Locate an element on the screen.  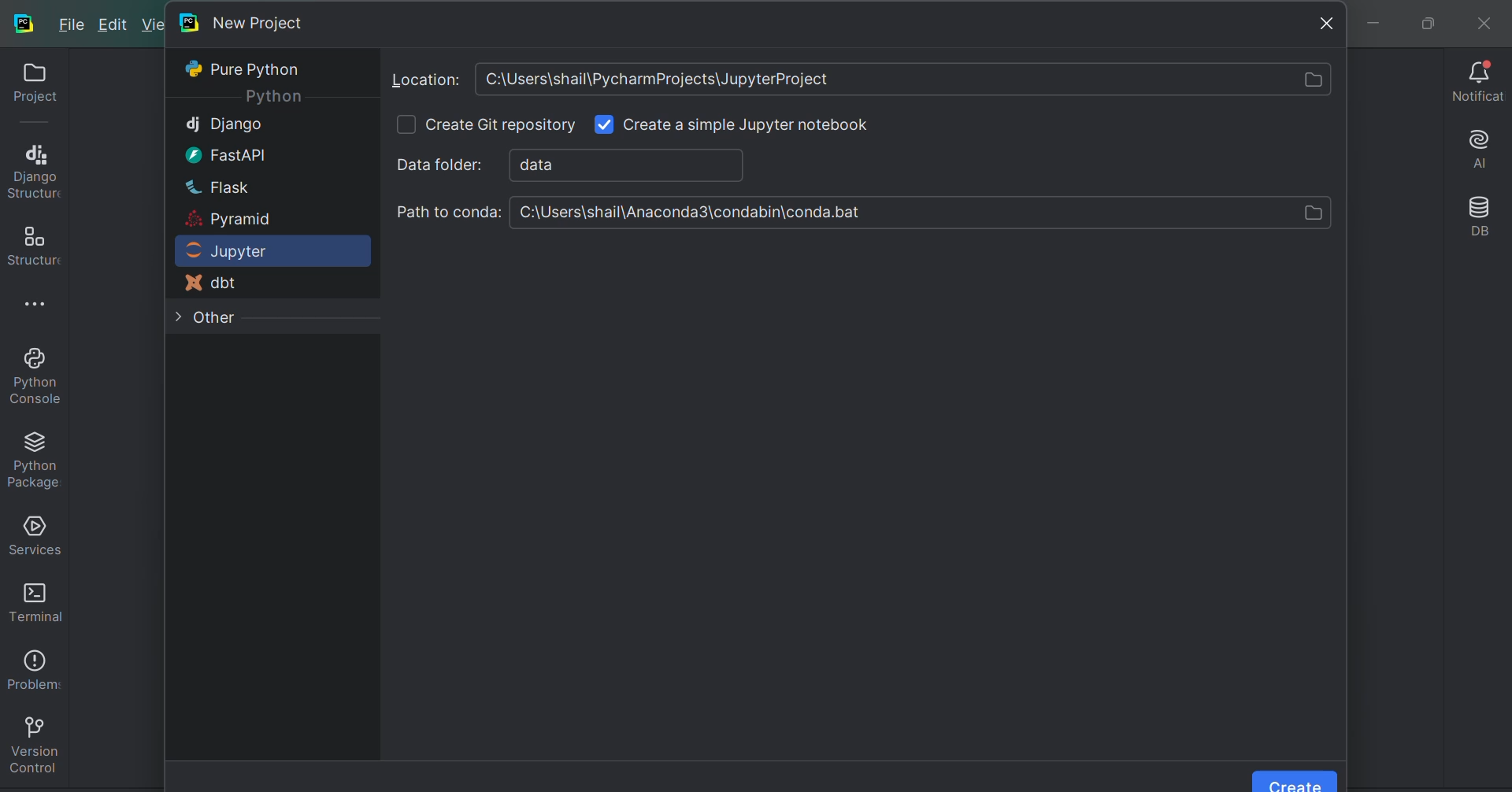
Django is located at coordinates (224, 124).